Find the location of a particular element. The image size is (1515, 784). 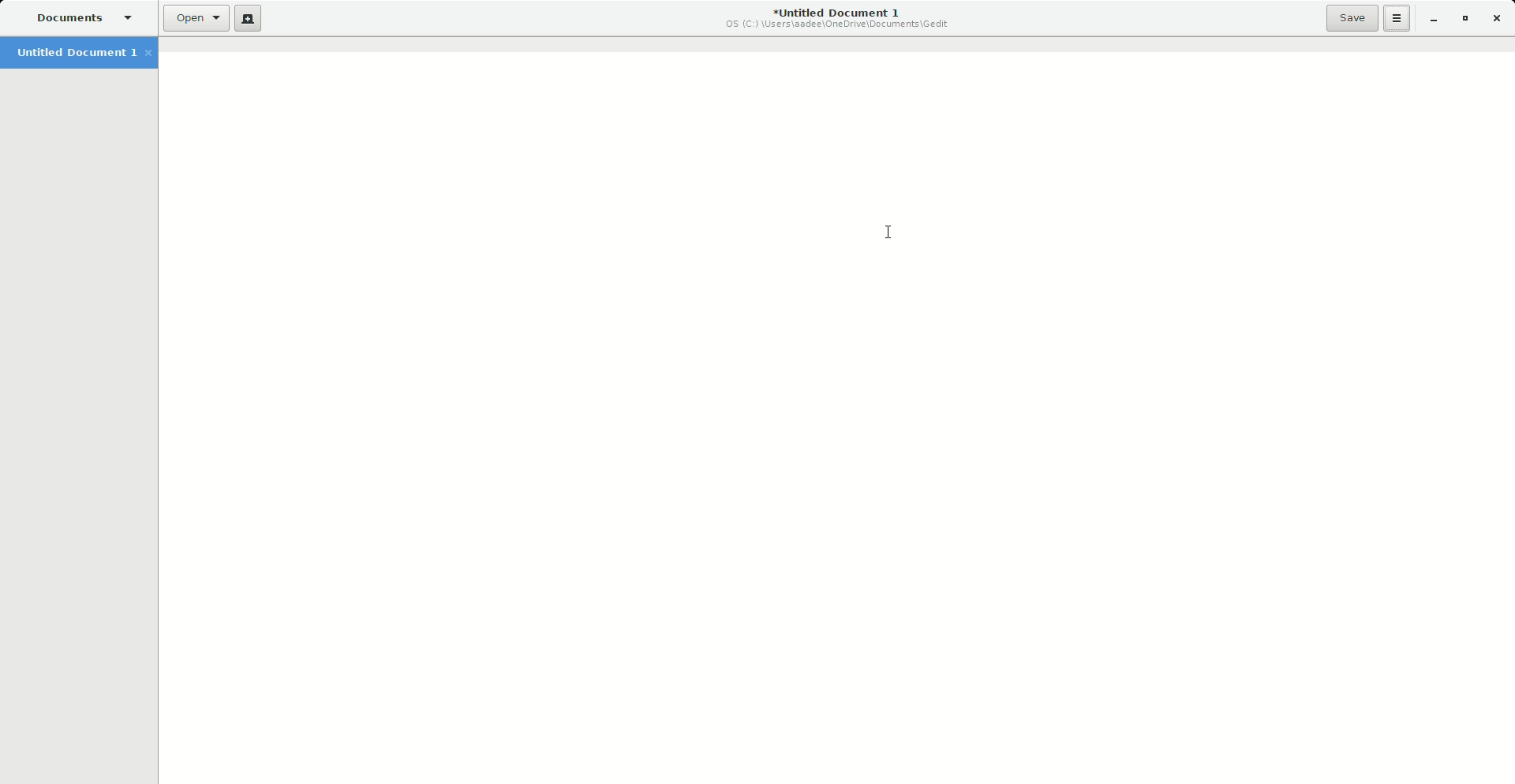

Untitled Document is located at coordinates (829, 17).